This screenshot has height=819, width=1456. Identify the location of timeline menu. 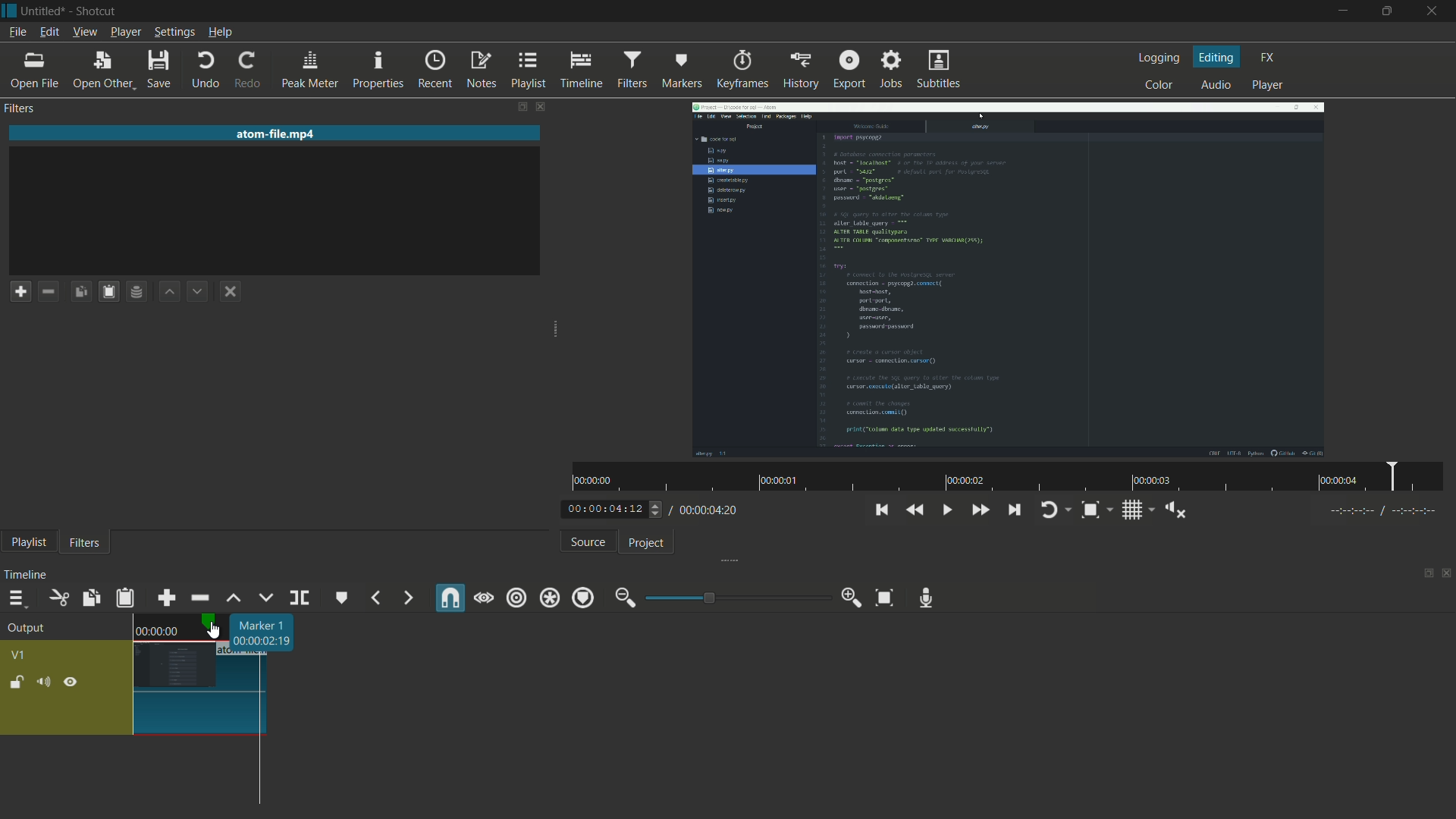
(15, 600).